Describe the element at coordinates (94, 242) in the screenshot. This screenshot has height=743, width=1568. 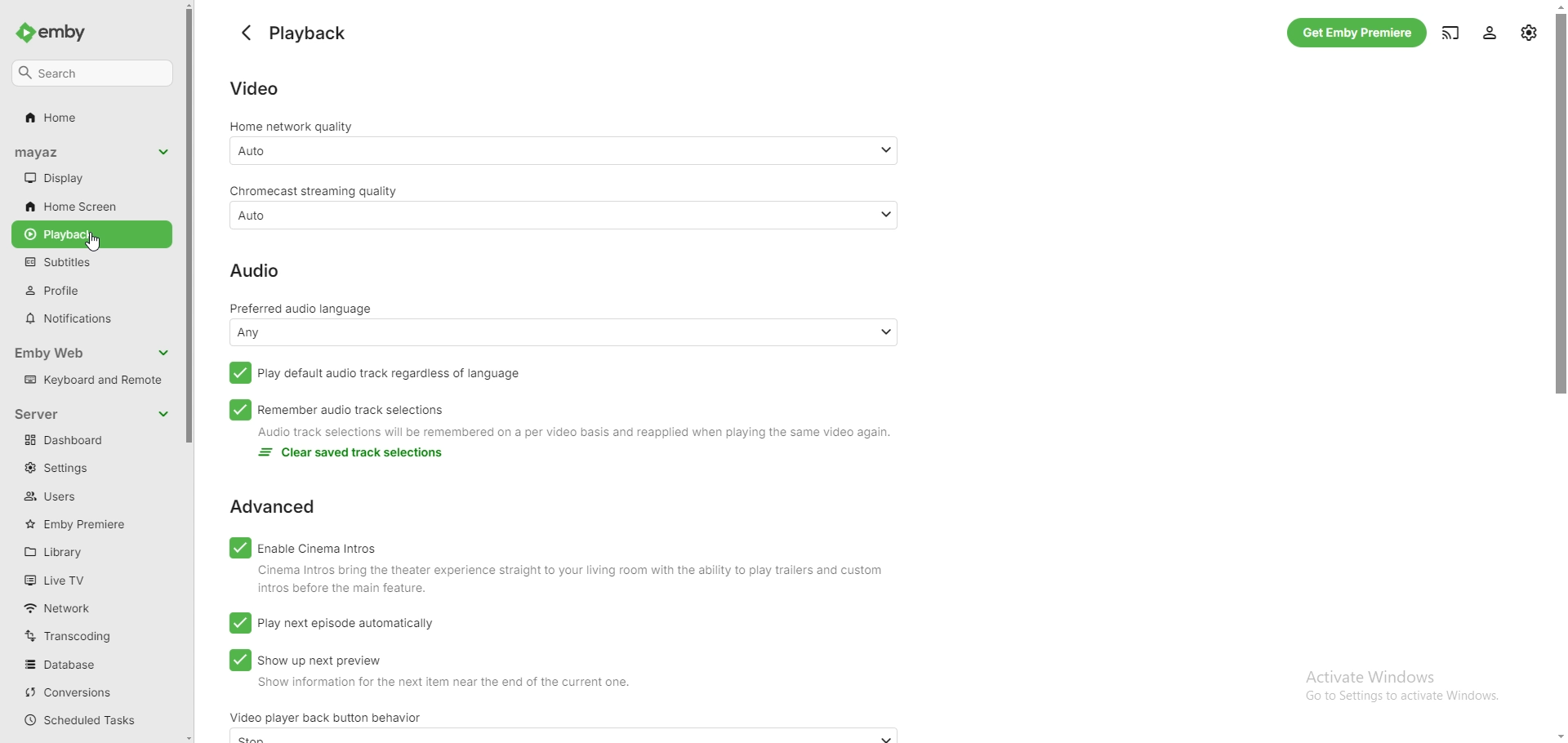
I see `cursor` at that location.